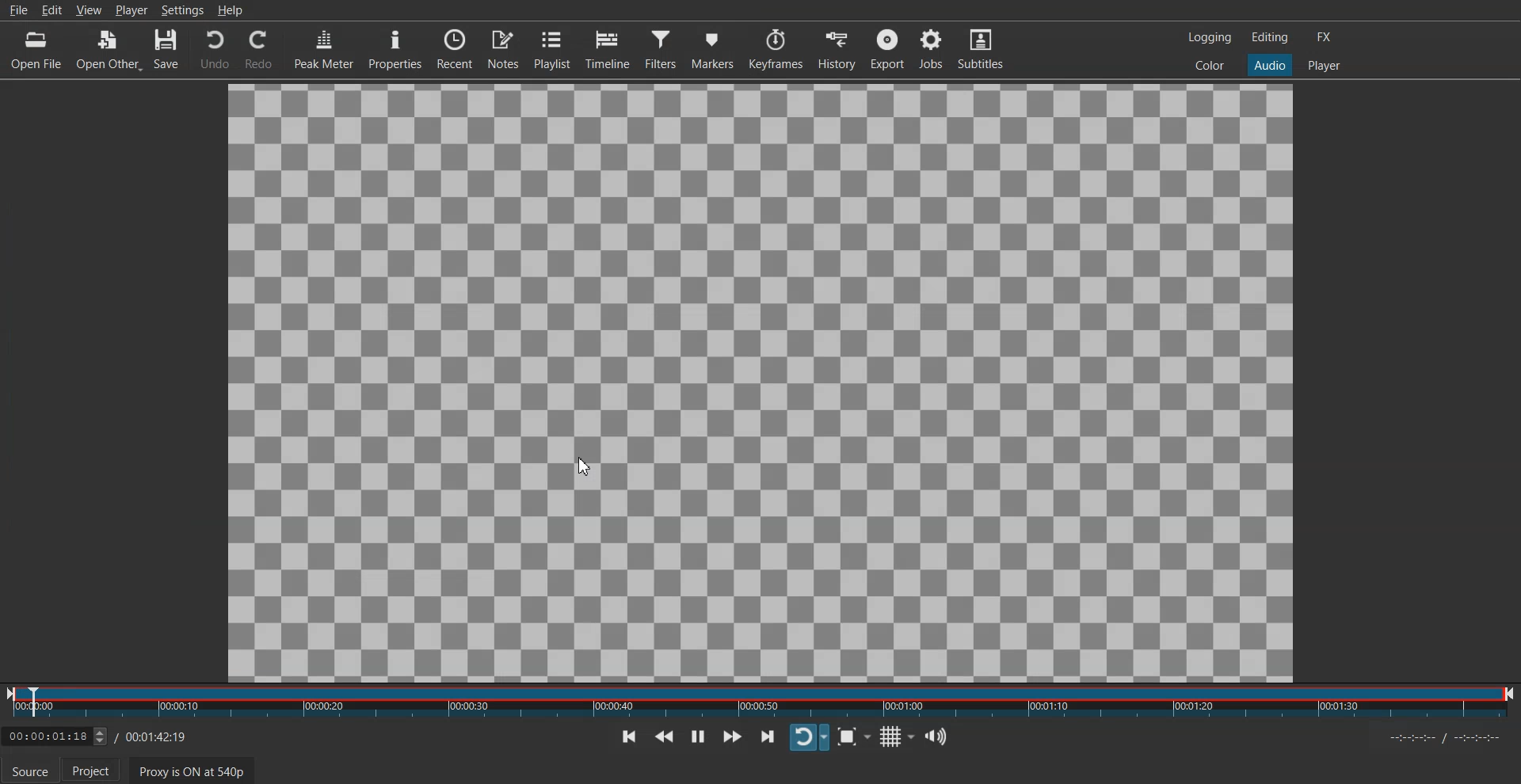 The height and width of the screenshot is (784, 1521). Describe the element at coordinates (760, 381) in the screenshot. I see `File Preview` at that location.